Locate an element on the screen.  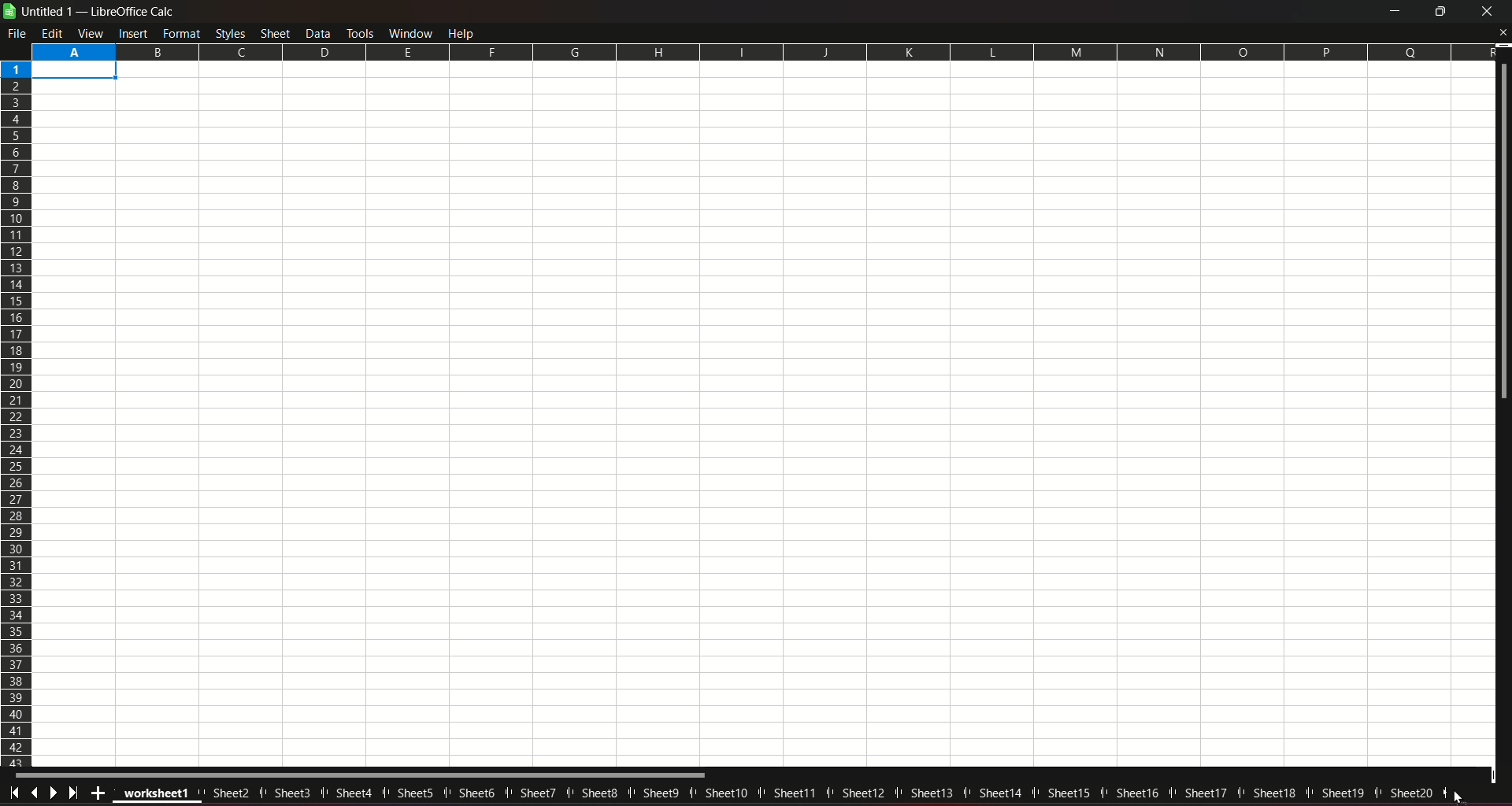
First sheet is located at coordinates (16, 791).